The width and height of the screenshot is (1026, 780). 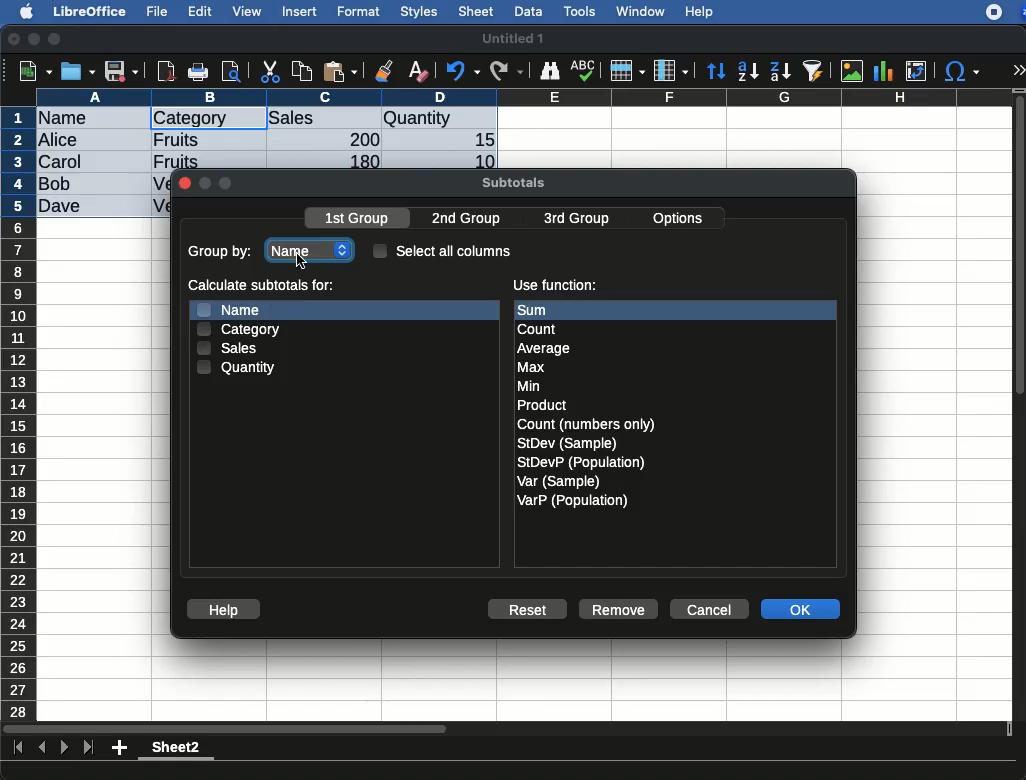 I want to click on Max, so click(x=532, y=368).